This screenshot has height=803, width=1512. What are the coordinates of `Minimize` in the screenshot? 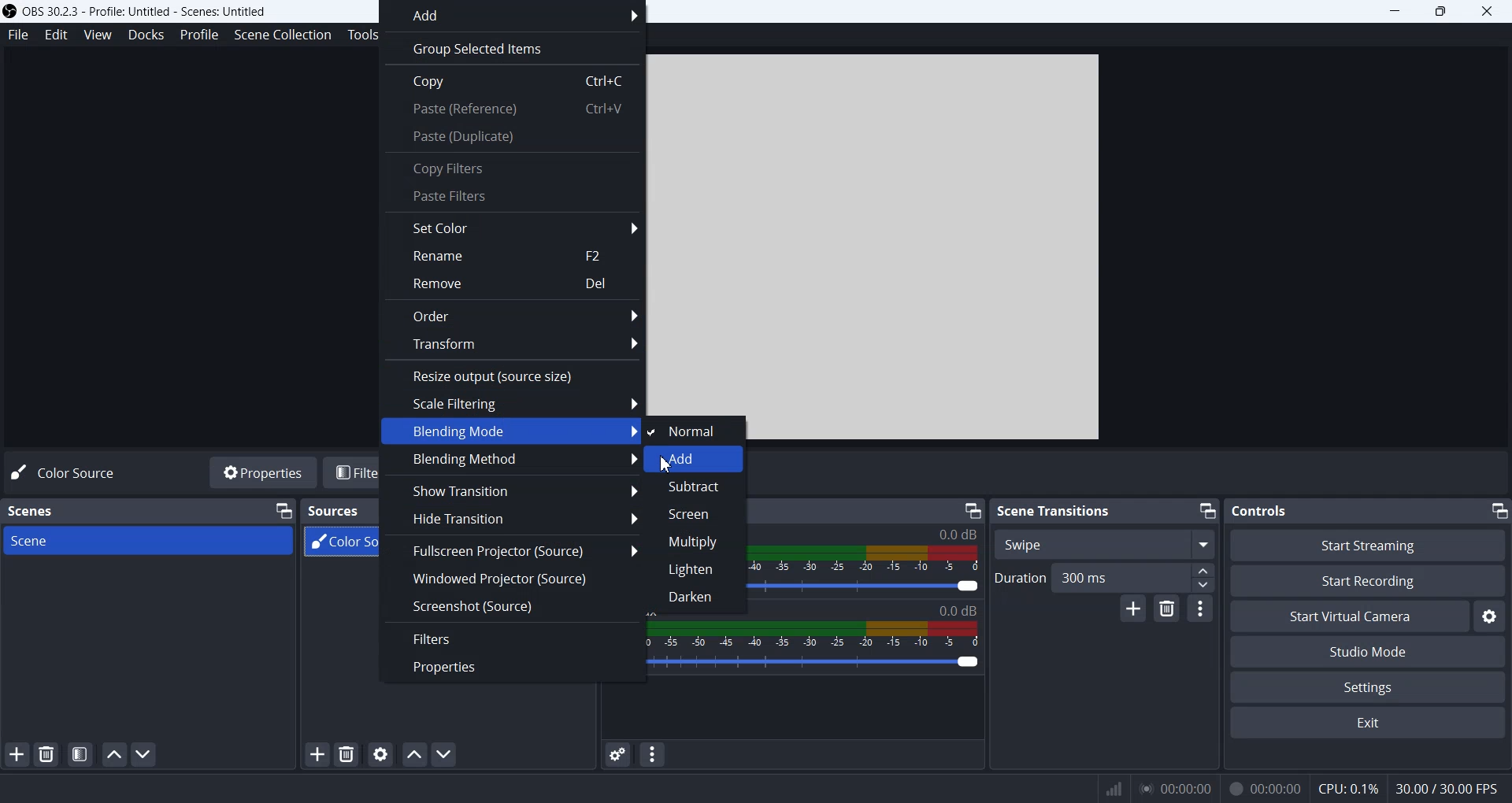 It's located at (1499, 512).